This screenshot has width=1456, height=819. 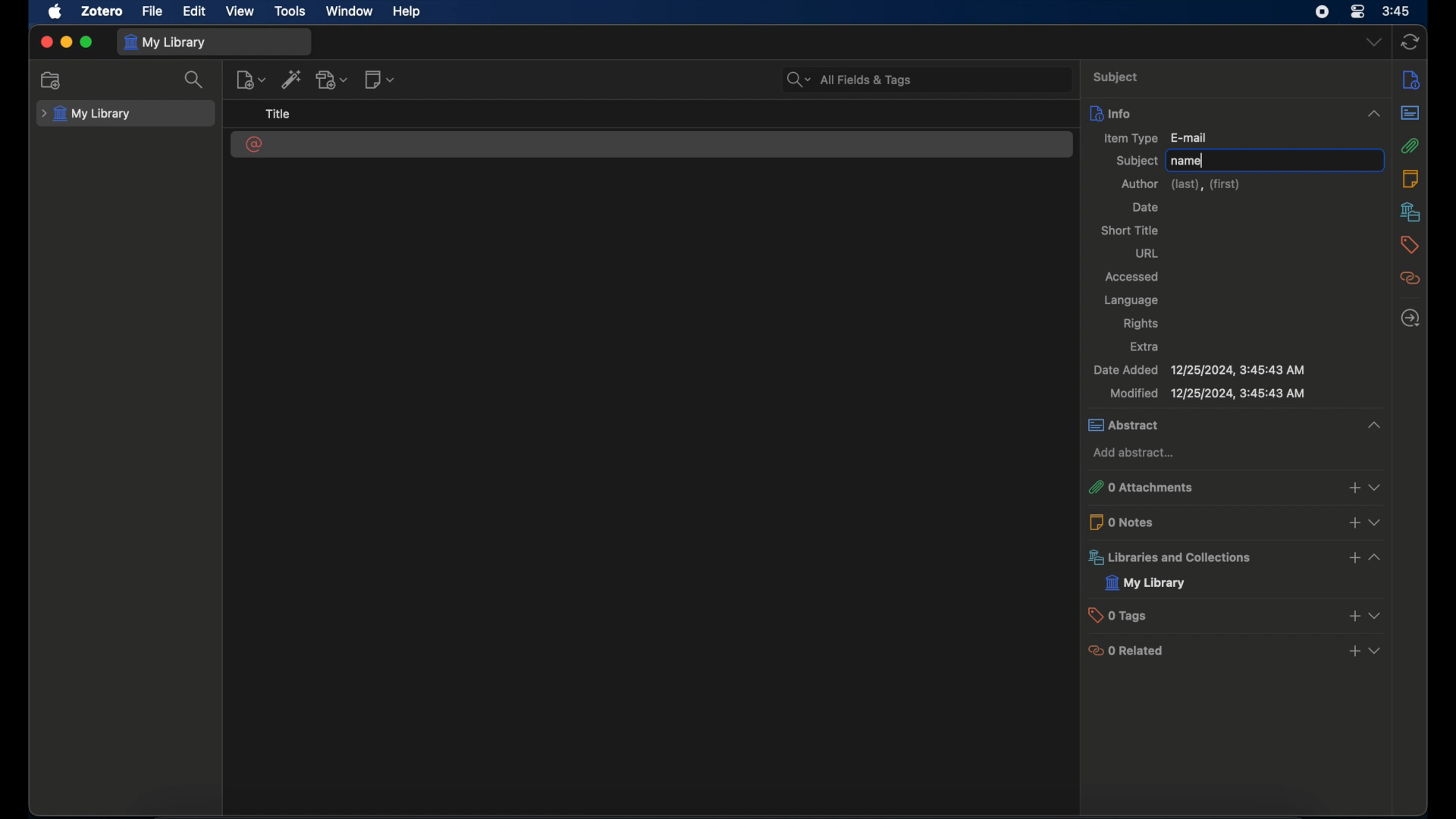 I want to click on dropdown, so click(x=1373, y=42).